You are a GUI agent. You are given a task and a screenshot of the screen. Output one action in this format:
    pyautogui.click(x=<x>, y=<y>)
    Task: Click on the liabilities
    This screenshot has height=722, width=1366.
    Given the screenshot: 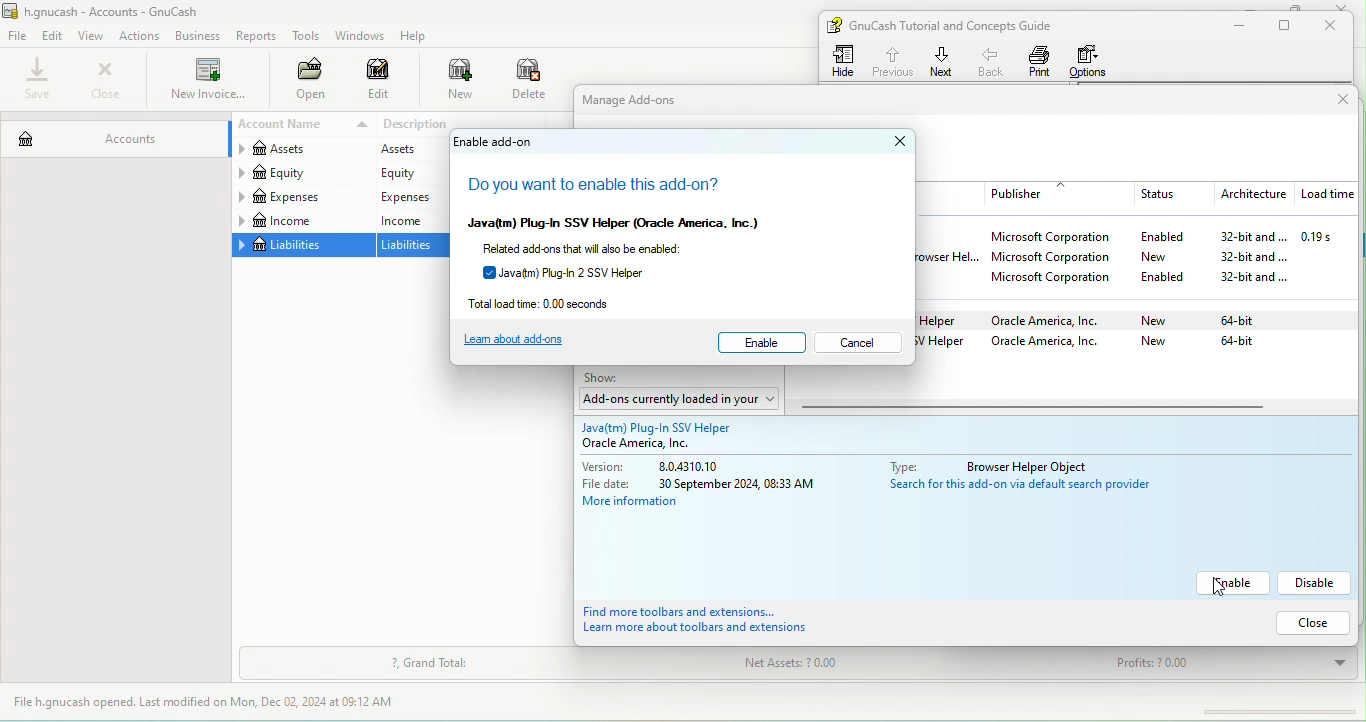 What is the action you would take?
    pyautogui.click(x=415, y=246)
    